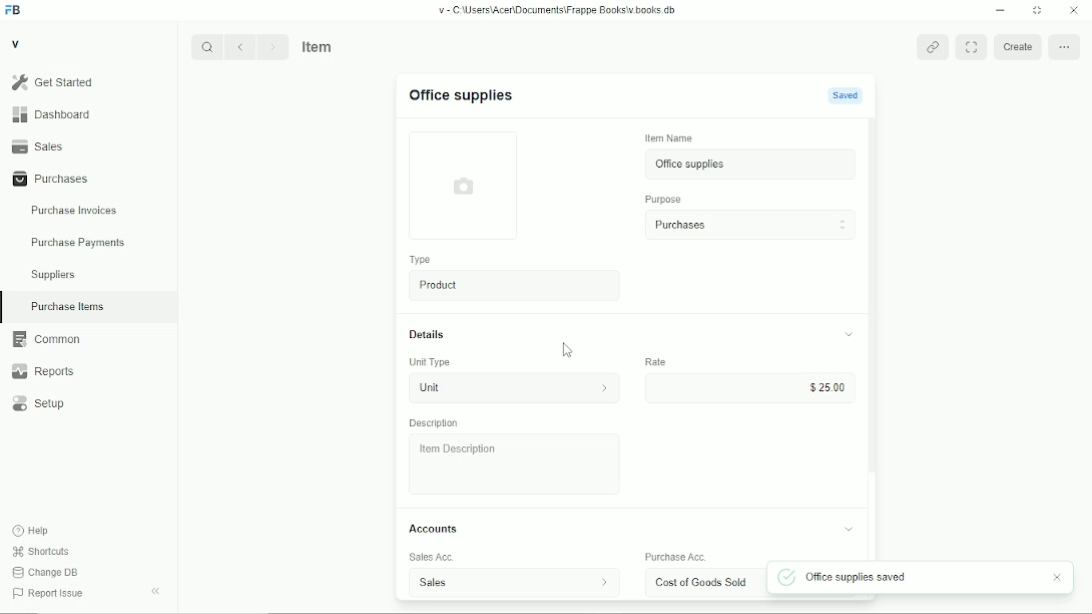  Describe the element at coordinates (972, 46) in the screenshot. I see `toggle between form and full width` at that location.